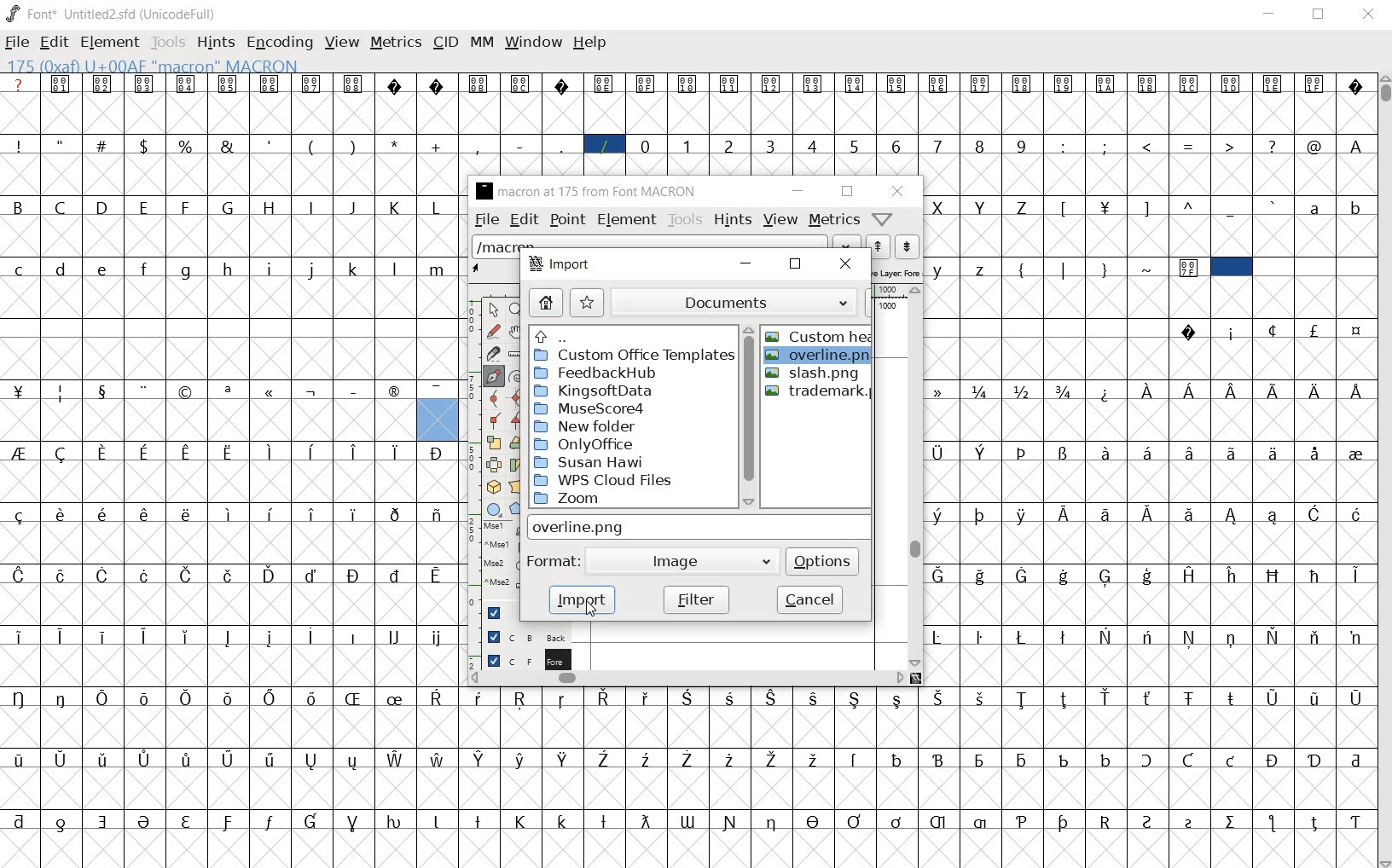 The image size is (1392, 868). What do you see at coordinates (148, 390) in the screenshot?
I see `Symbol` at bounding box center [148, 390].